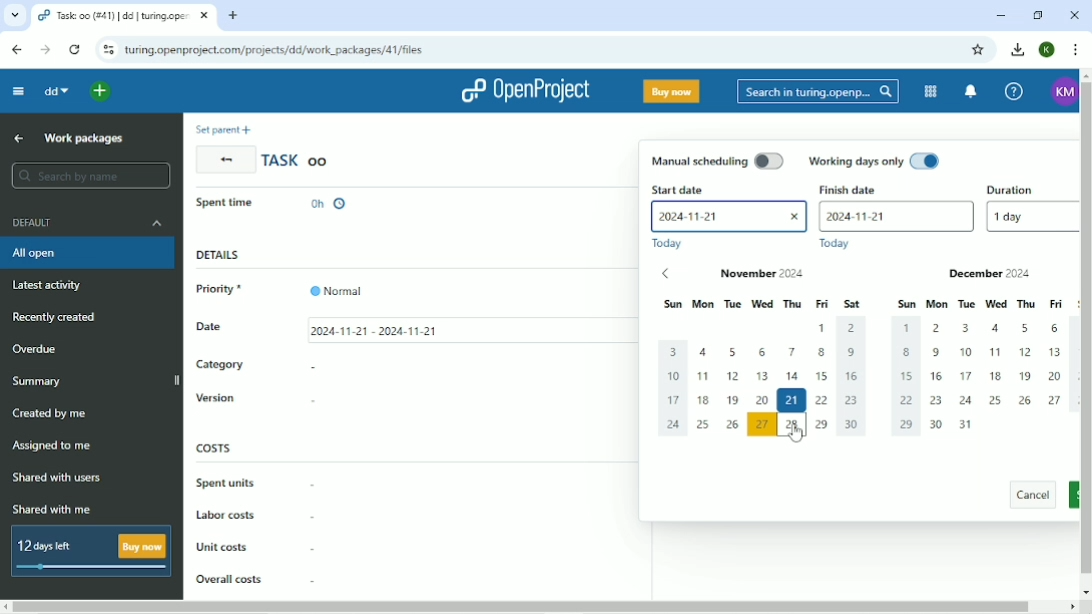 The height and width of the screenshot is (614, 1092). What do you see at coordinates (1085, 74) in the screenshot?
I see `scroll up` at bounding box center [1085, 74].